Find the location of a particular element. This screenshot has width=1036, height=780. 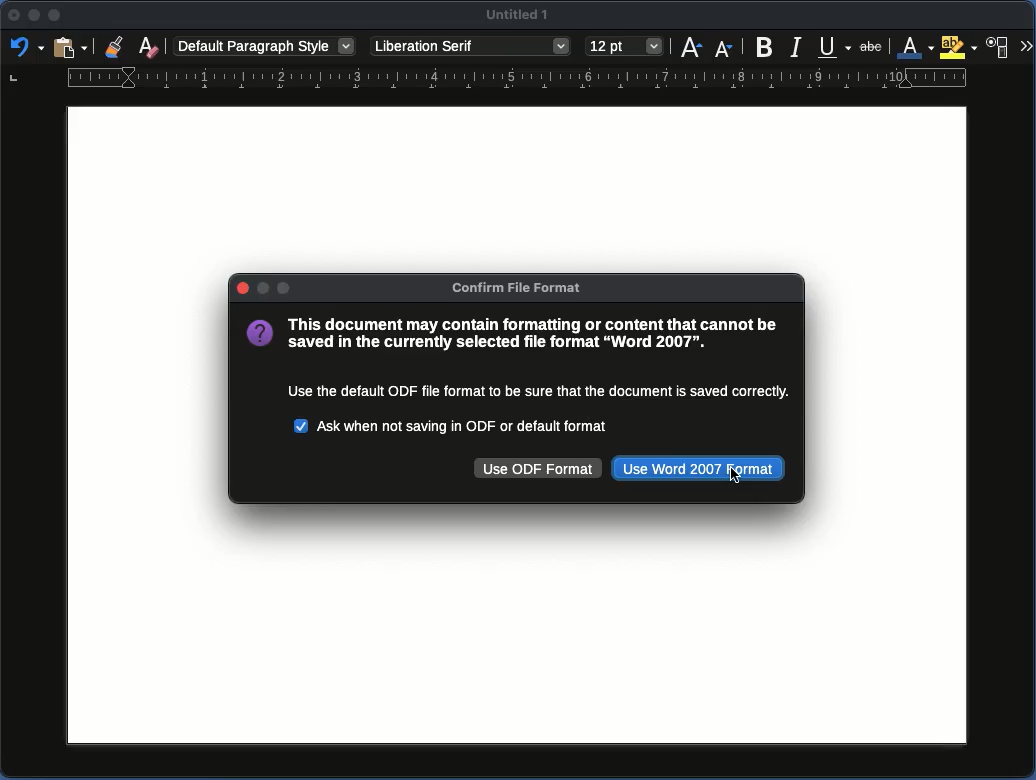

Name is located at coordinates (521, 18).